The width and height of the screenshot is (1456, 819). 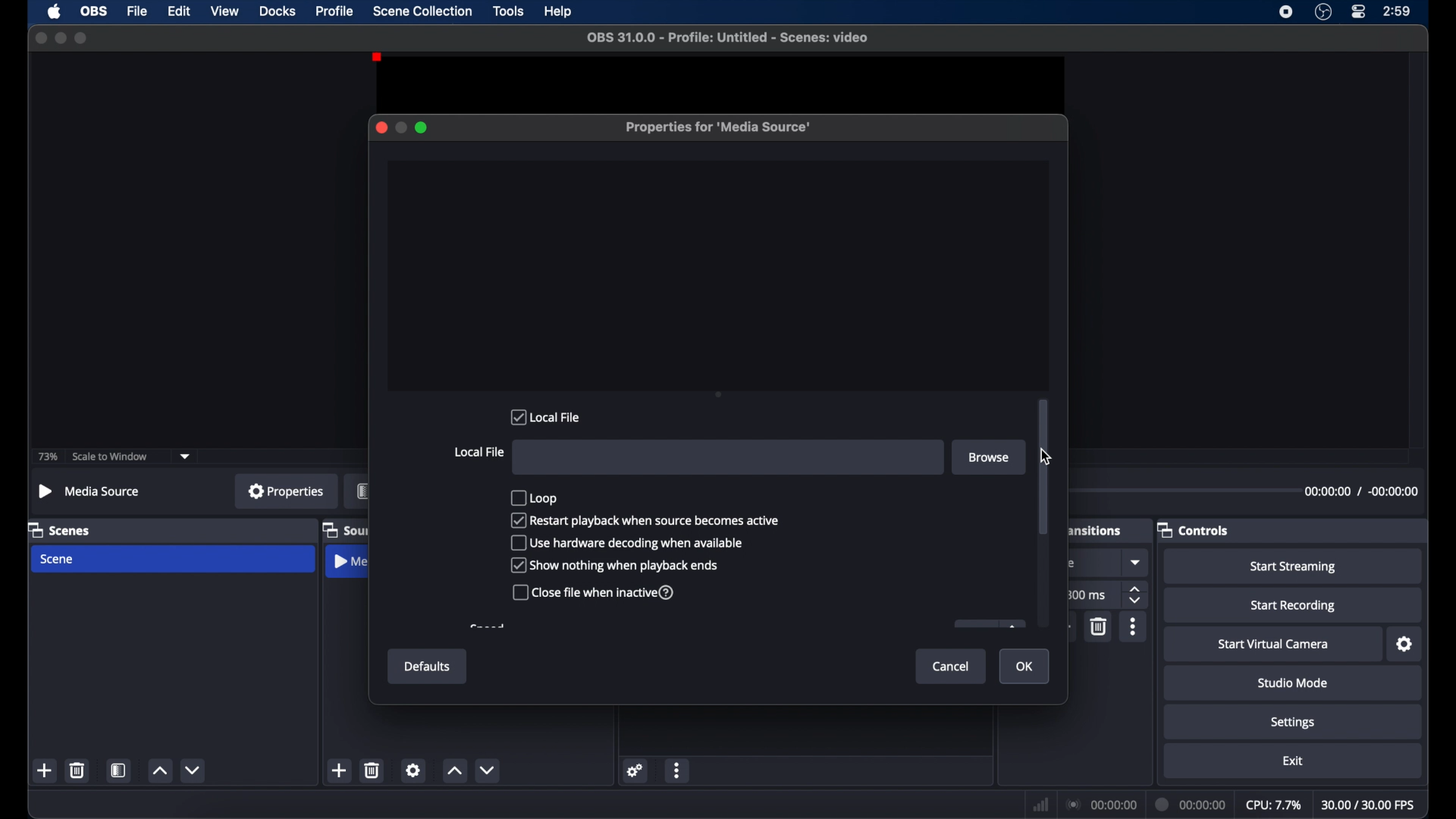 What do you see at coordinates (1293, 723) in the screenshot?
I see `settings` at bounding box center [1293, 723].